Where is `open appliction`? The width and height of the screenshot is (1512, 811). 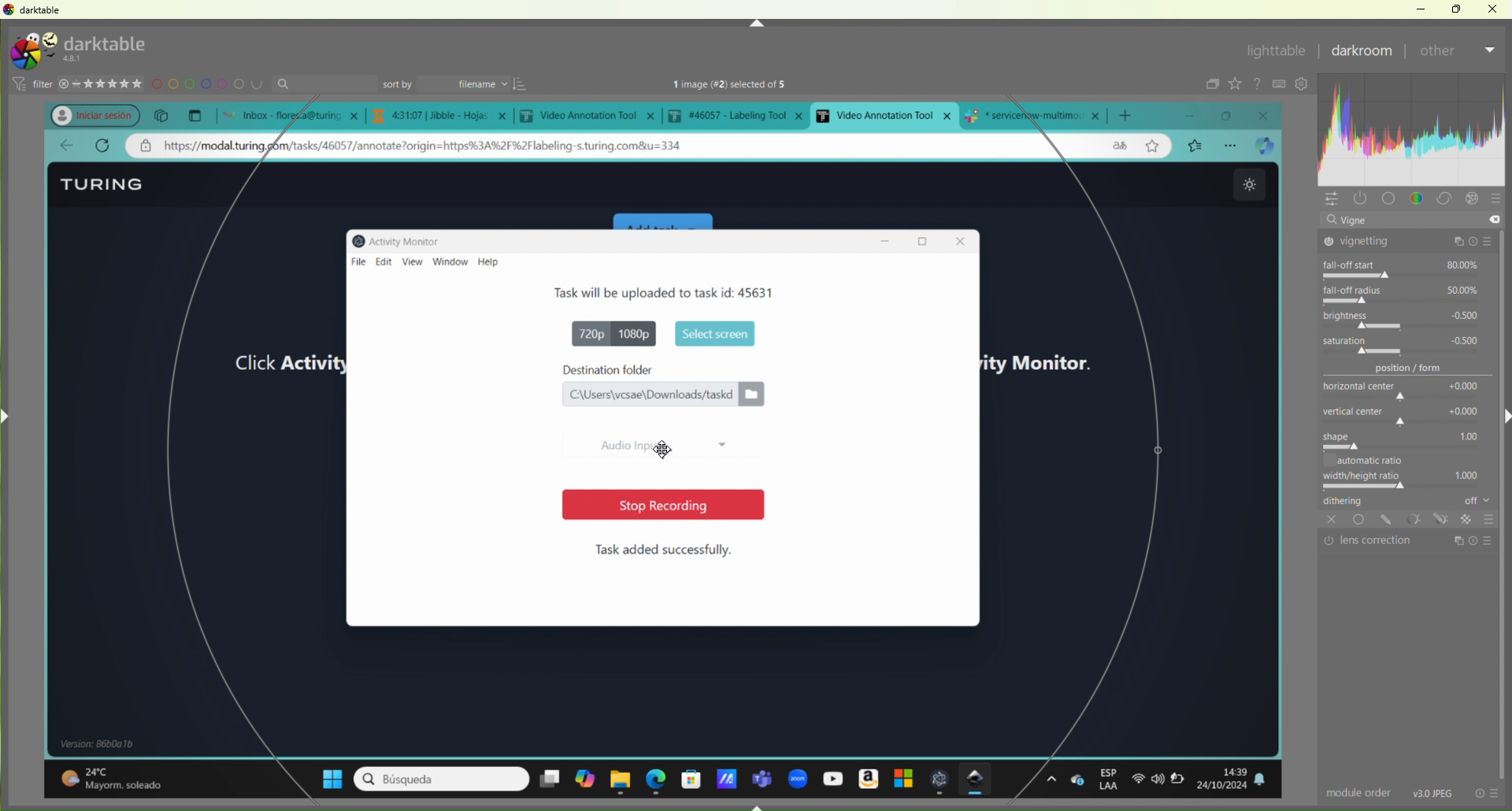
open appliction is located at coordinates (940, 780).